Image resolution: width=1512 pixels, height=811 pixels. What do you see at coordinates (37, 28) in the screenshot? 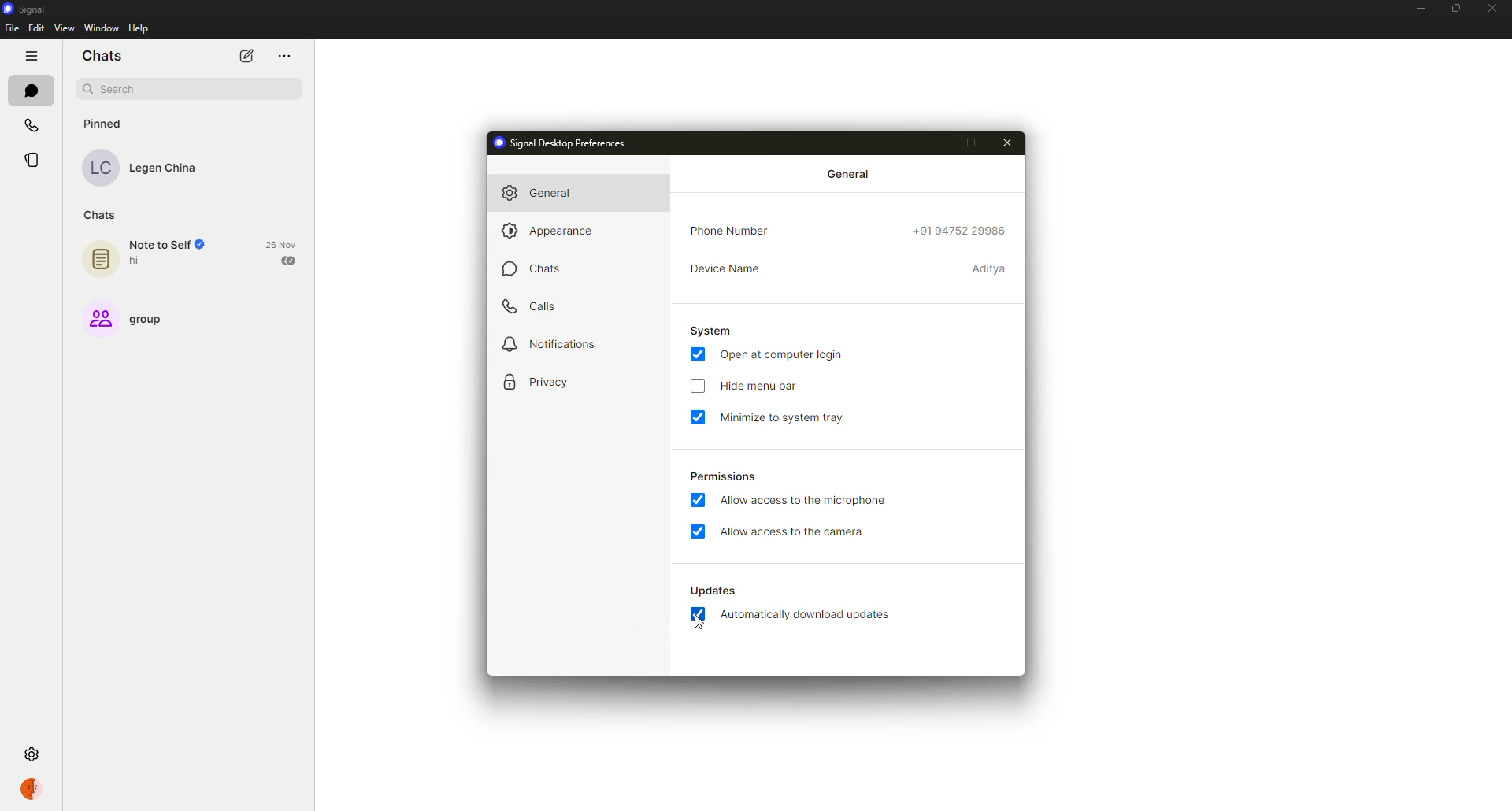
I see `edit` at bounding box center [37, 28].